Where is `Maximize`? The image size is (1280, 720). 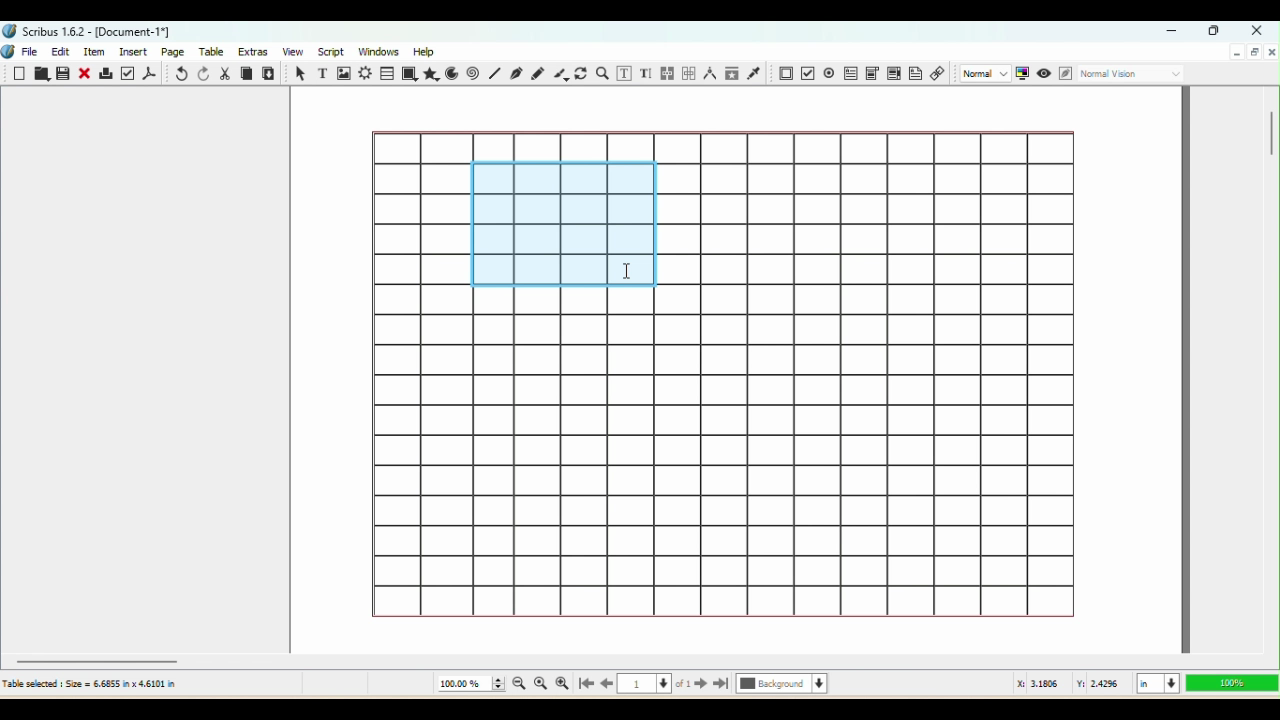
Maximize is located at coordinates (1216, 32).